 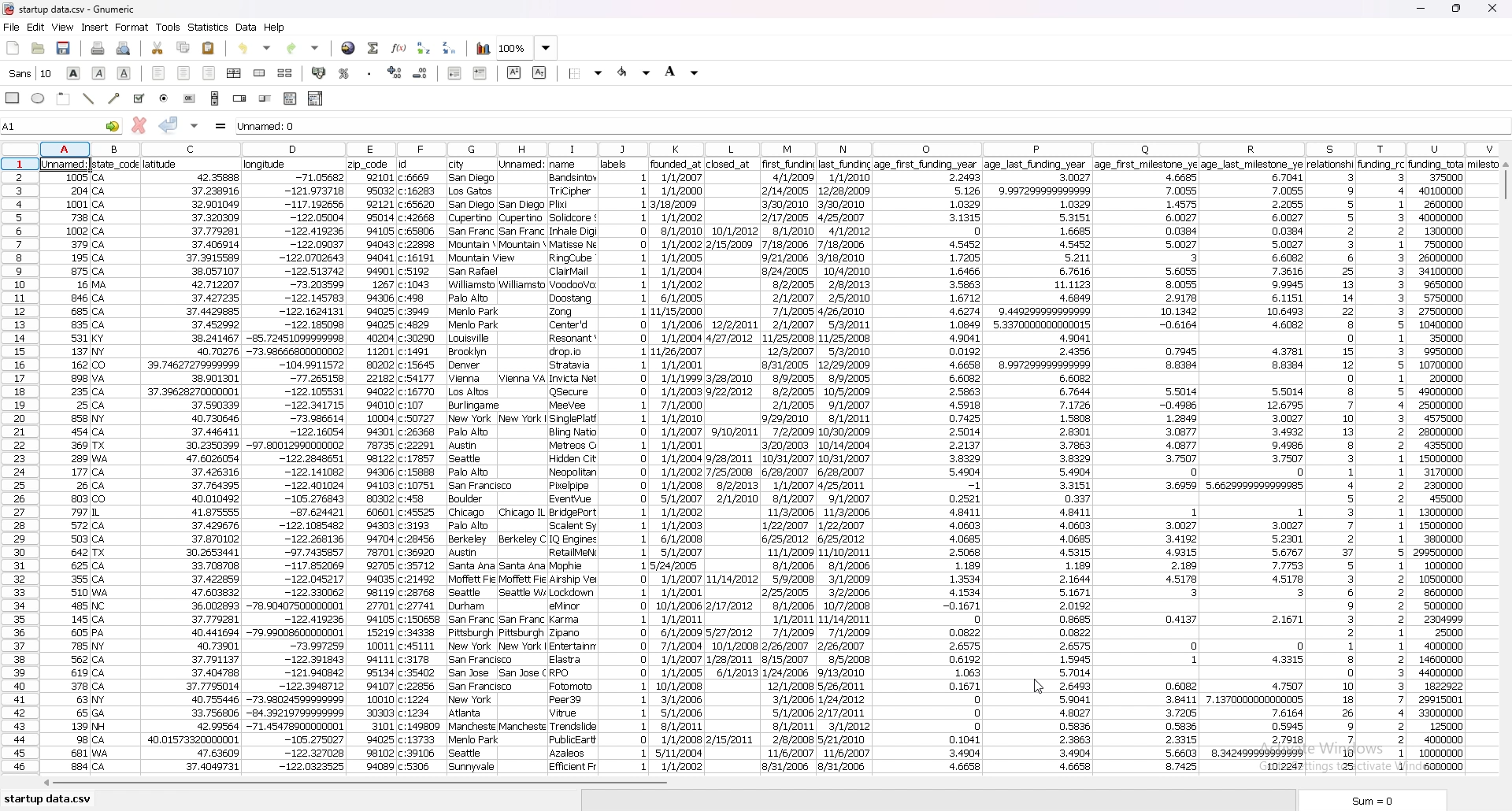 What do you see at coordinates (31, 73) in the screenshot?
I see `font` at bounding box center [31, 73].